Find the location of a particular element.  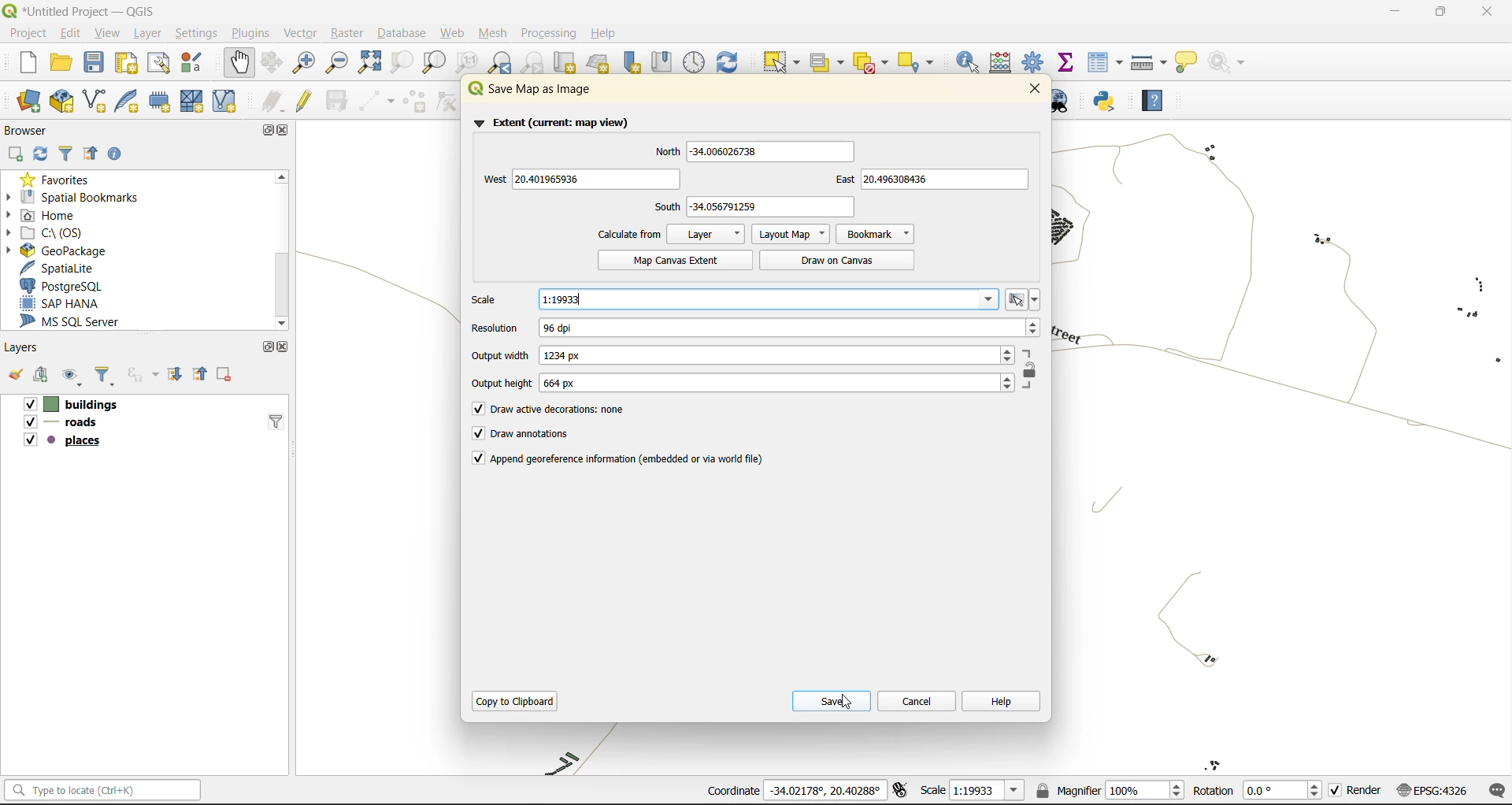

enable properties is located at coordinates (114, 153).